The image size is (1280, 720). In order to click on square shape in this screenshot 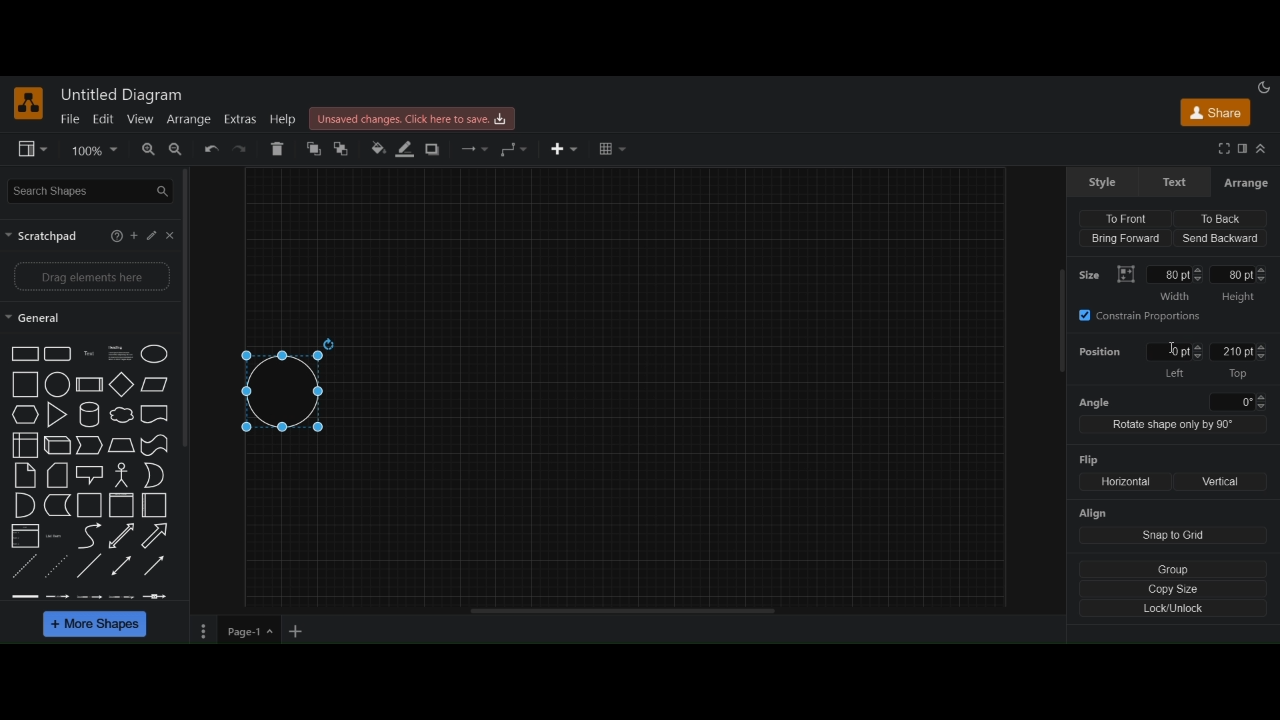, I will do `click(122, 506)`.